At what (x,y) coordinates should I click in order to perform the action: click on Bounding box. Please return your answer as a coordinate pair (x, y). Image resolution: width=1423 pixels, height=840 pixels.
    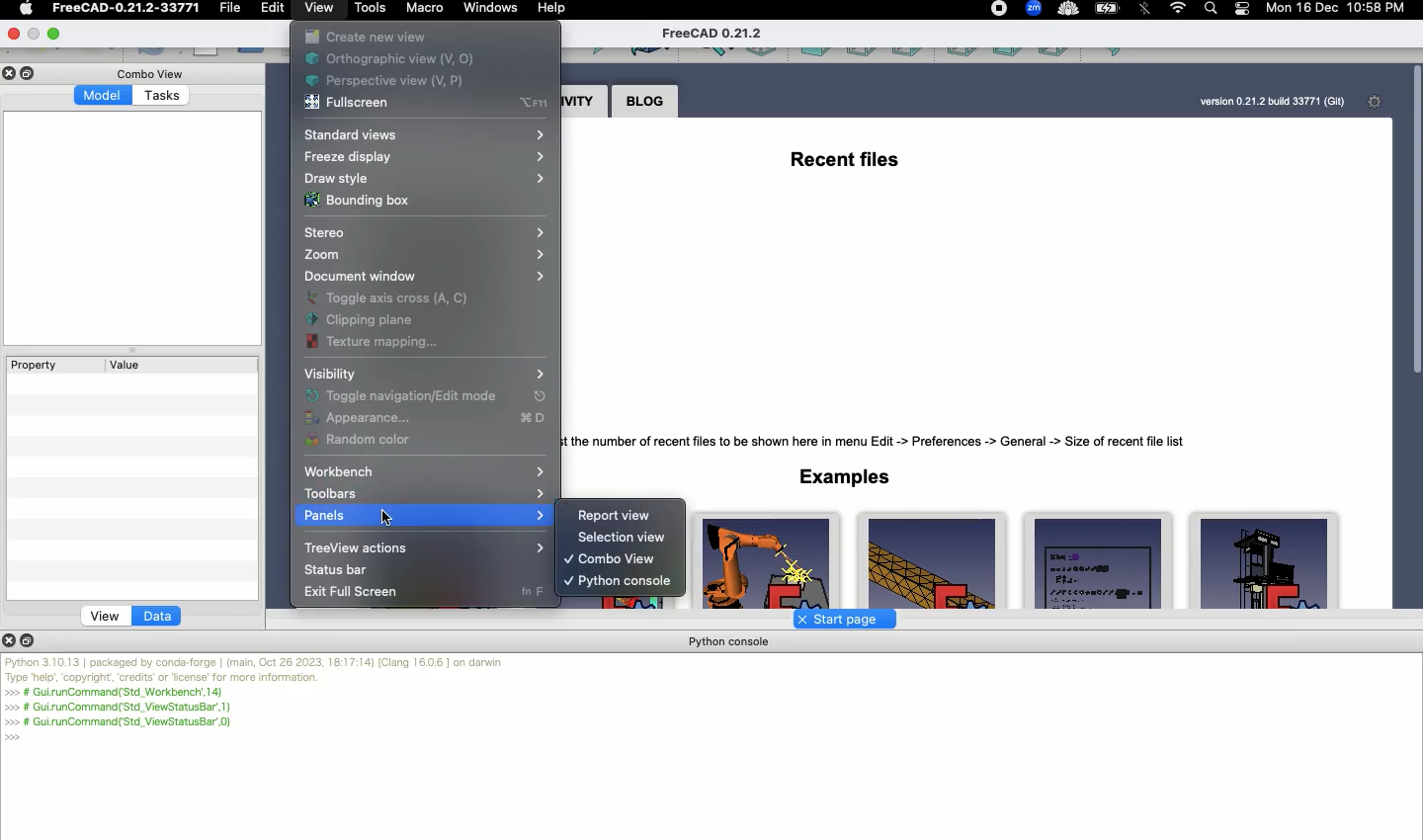
    Looking at the image, I should click on (360, 203).